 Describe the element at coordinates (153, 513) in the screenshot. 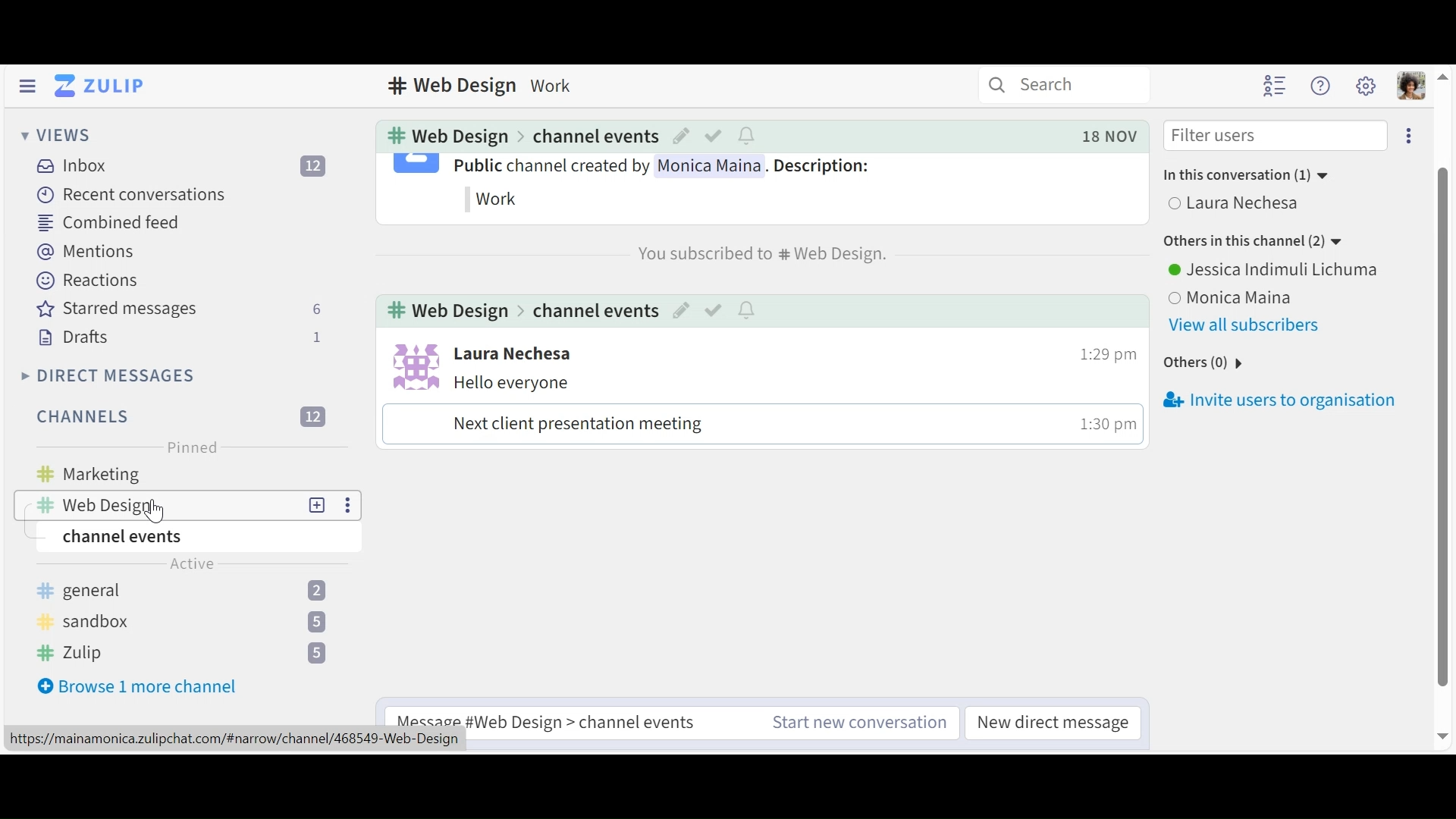

I see `Cursor` at that location.